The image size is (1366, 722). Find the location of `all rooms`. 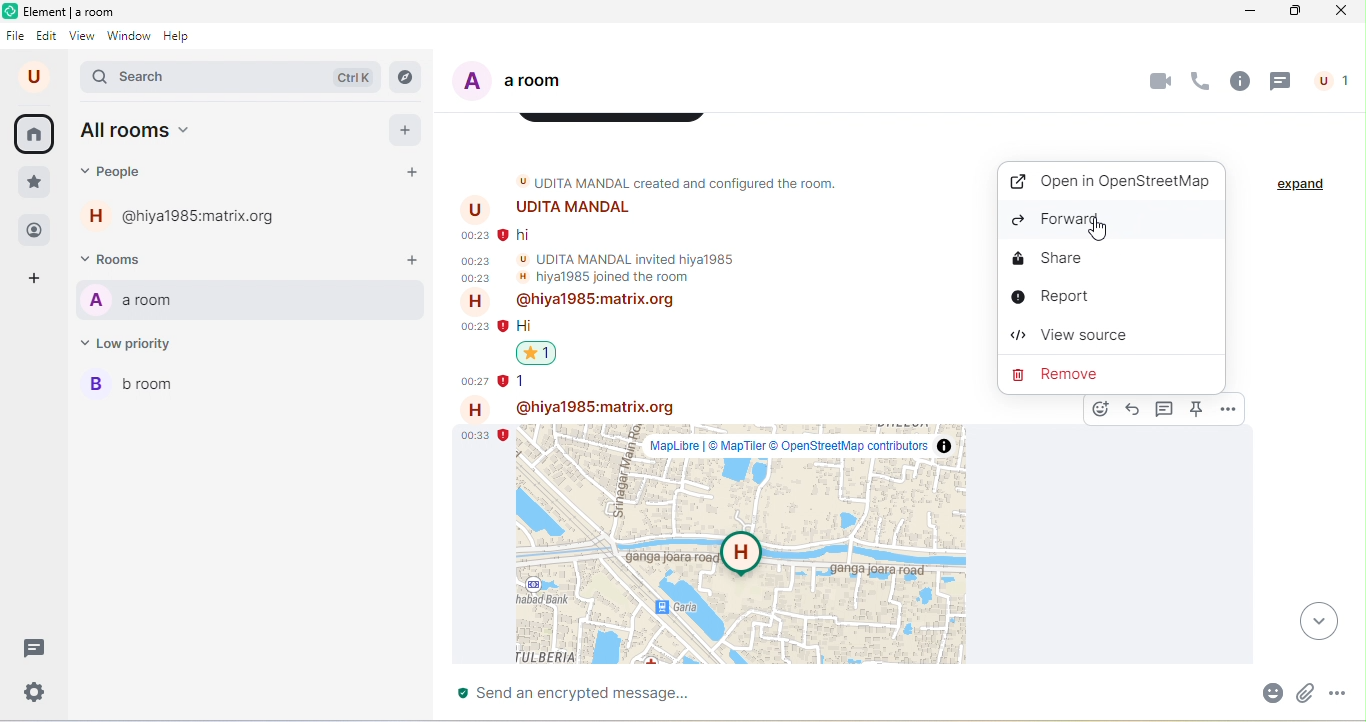

all rooms is located at coordinates (141, 130).